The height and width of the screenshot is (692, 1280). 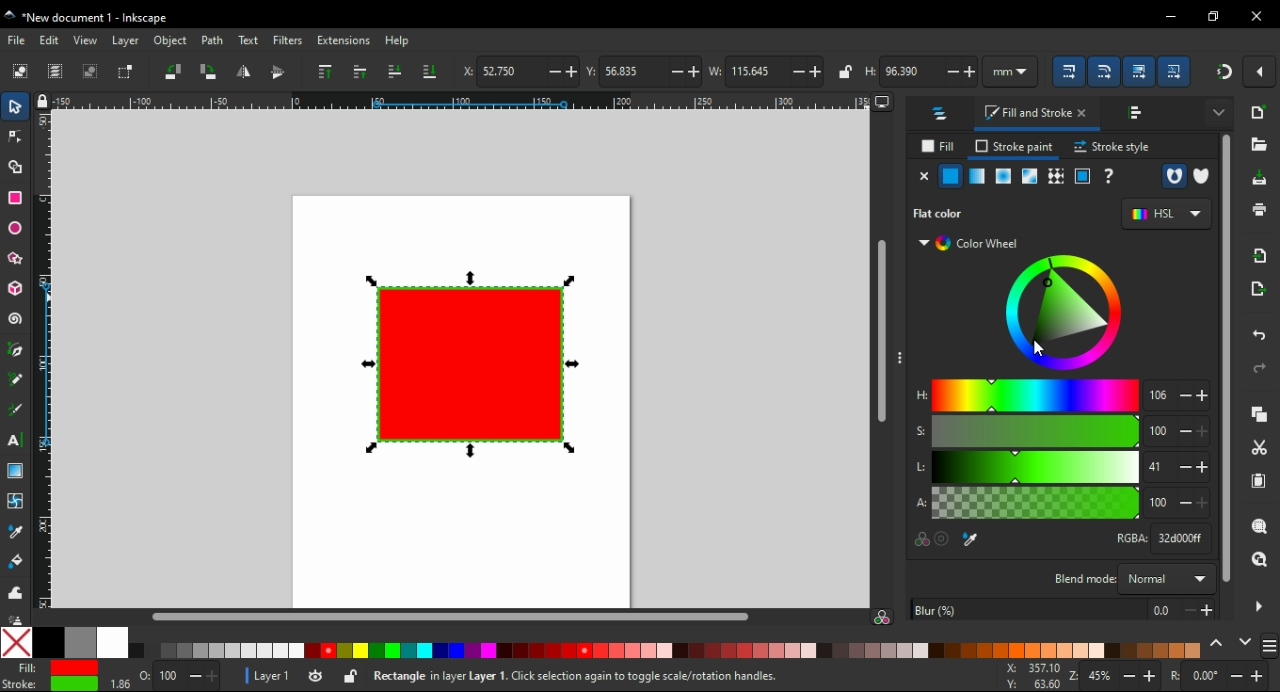 What do you see at coordinates (442, 616) in the screenshot?
I see `scroll bar` at bounding box center [442, 616].